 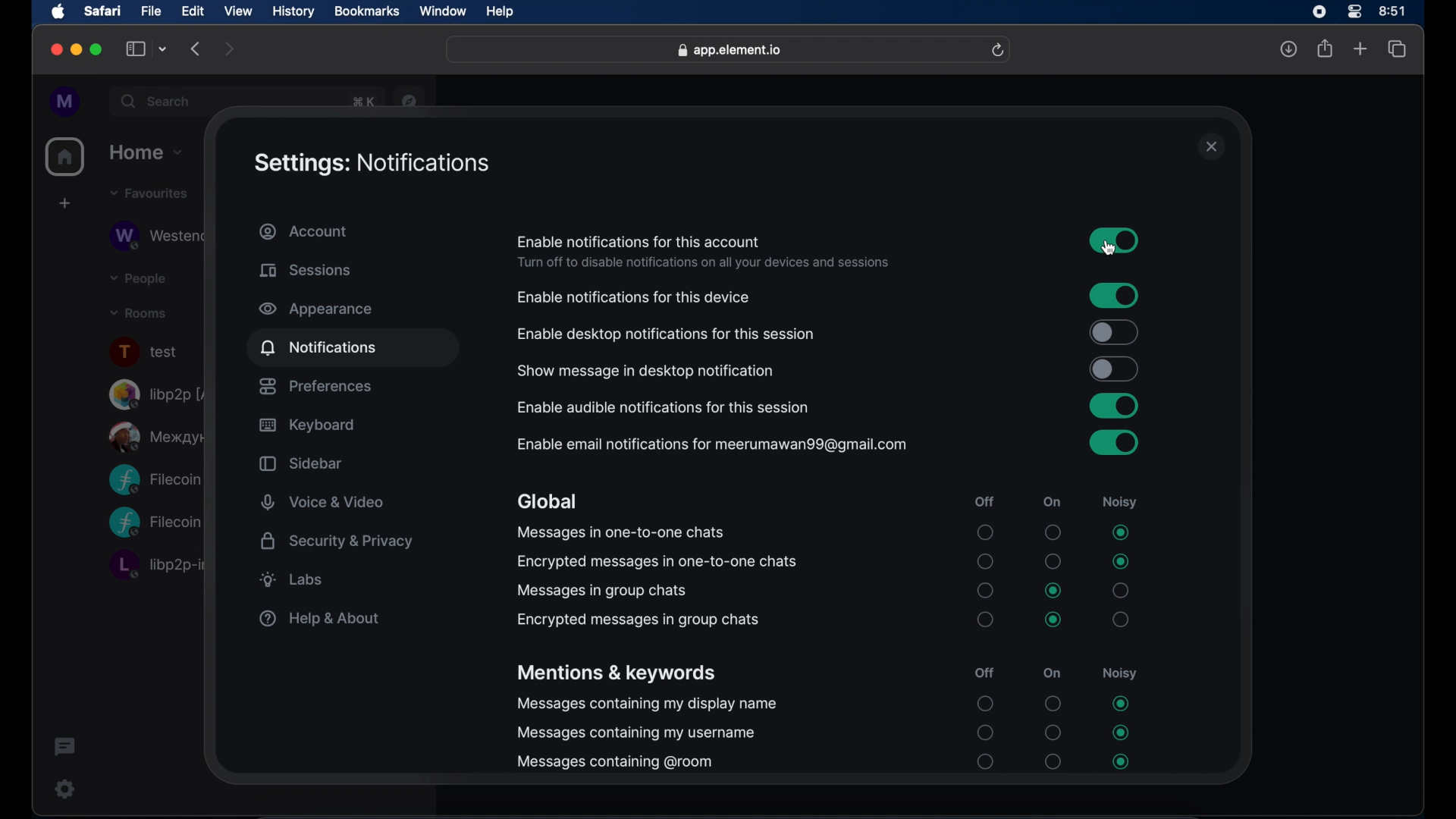 I want to click on toggle  button, so click(x=1114, y=442).